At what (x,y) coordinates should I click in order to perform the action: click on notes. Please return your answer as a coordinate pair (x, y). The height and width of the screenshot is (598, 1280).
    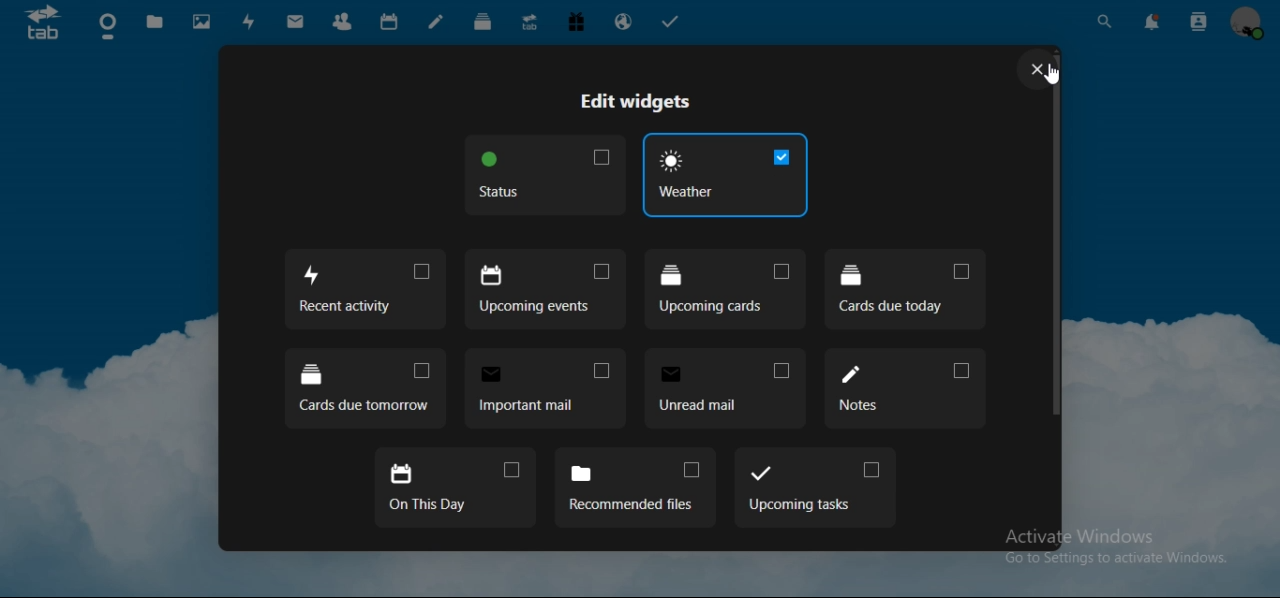
    Looking at the image, I should click on (437, 21).